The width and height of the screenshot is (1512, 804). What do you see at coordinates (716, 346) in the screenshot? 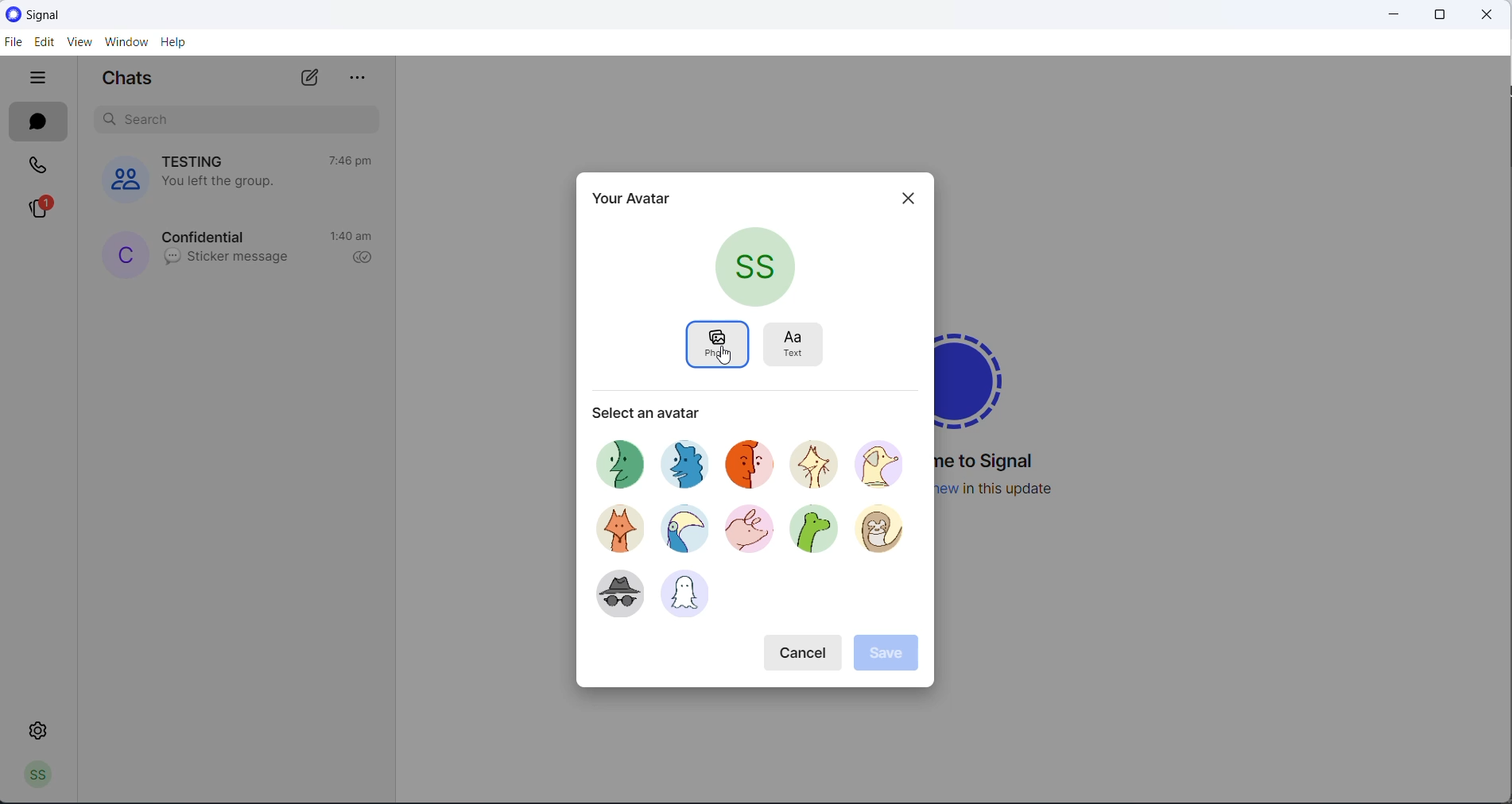
I see `photo` at bounding box center [716, 346].